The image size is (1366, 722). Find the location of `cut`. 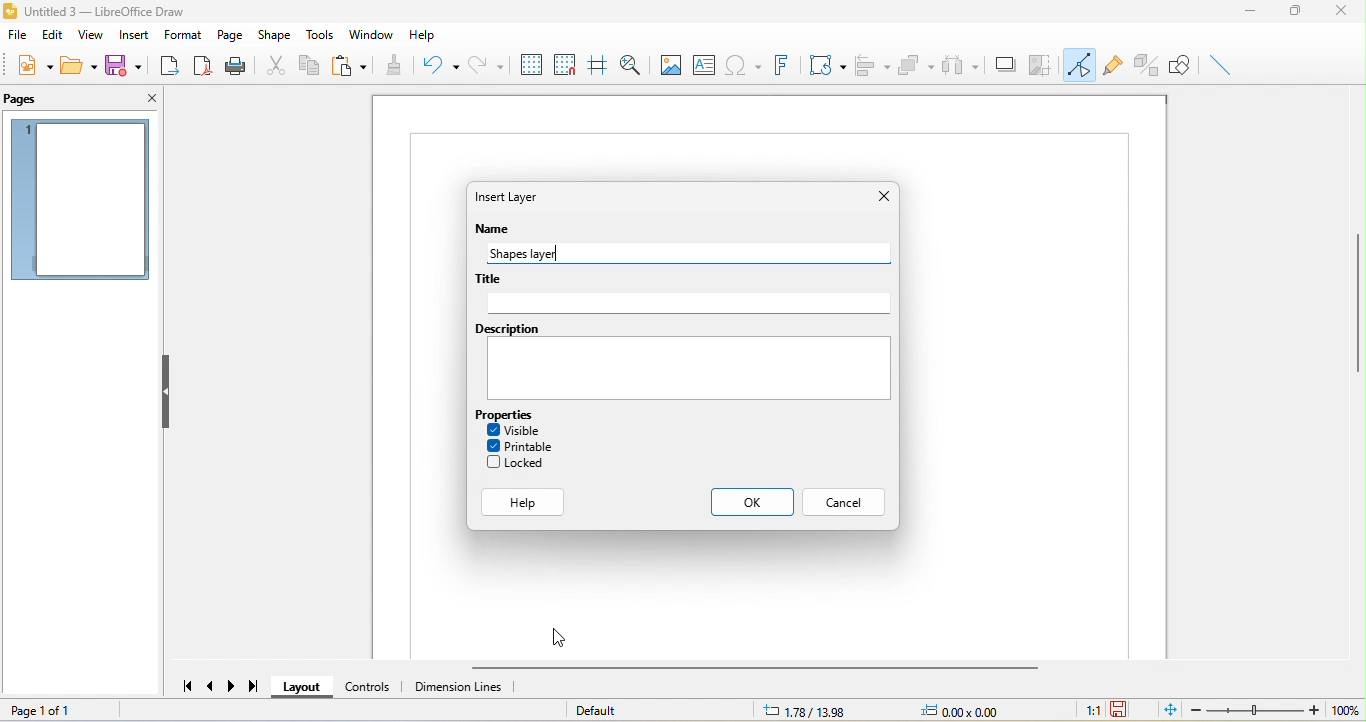

cut is located at coordinates (276, 65).